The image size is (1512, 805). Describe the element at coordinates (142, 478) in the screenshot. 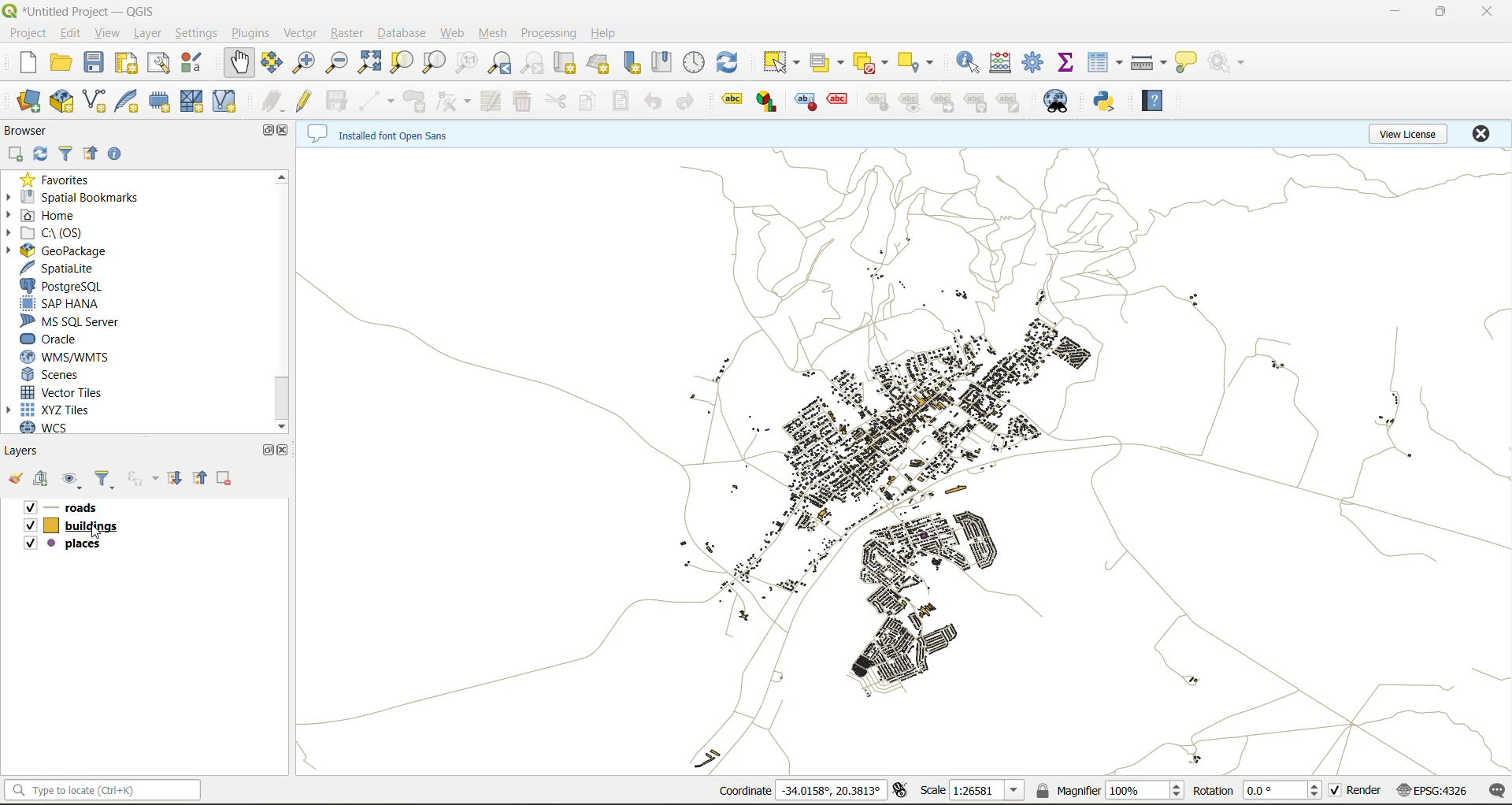

I see `filter by expression` at that location.